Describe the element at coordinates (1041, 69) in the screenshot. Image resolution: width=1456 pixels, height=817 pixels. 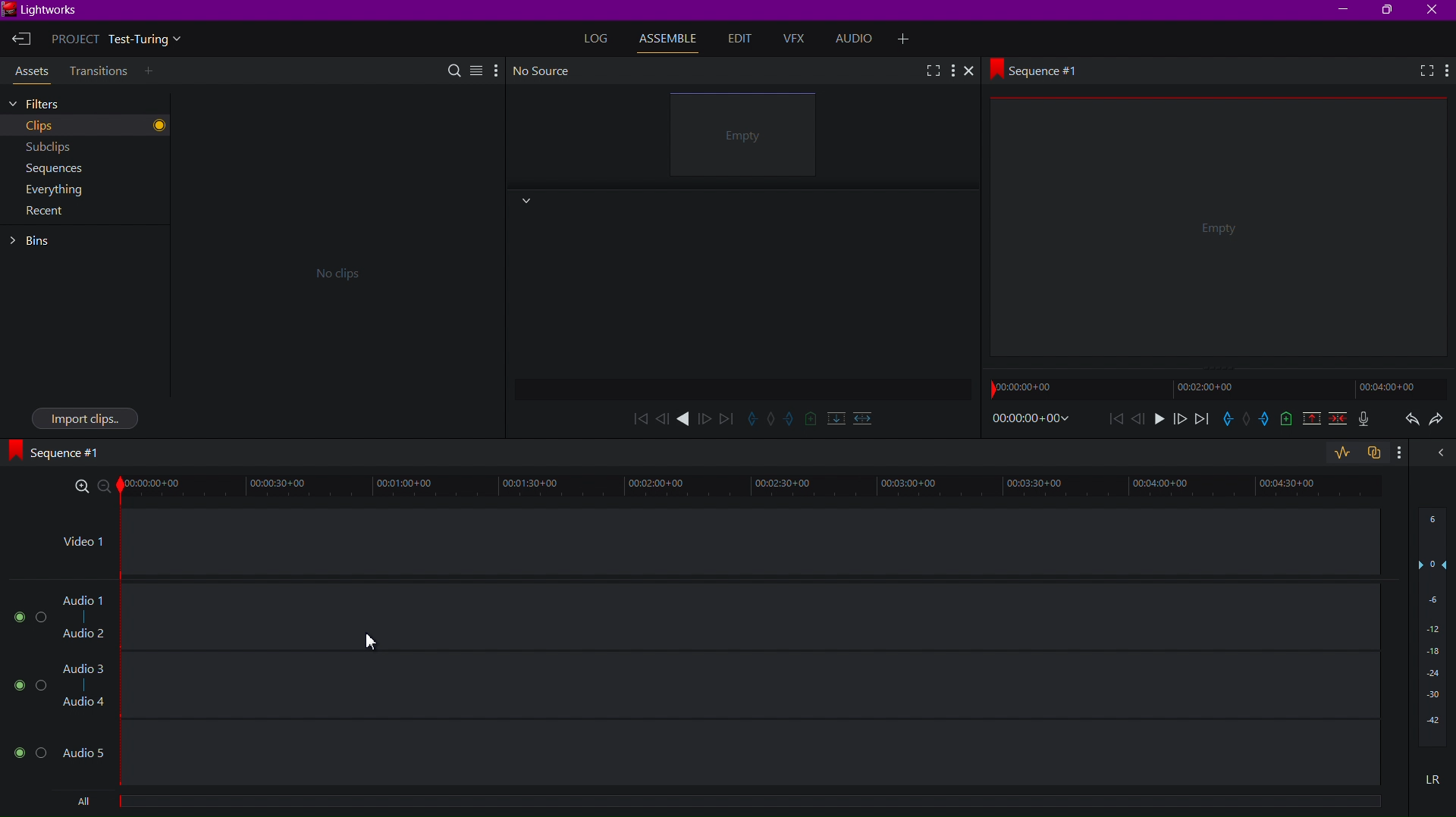
I see `Sequence #1` at that location.